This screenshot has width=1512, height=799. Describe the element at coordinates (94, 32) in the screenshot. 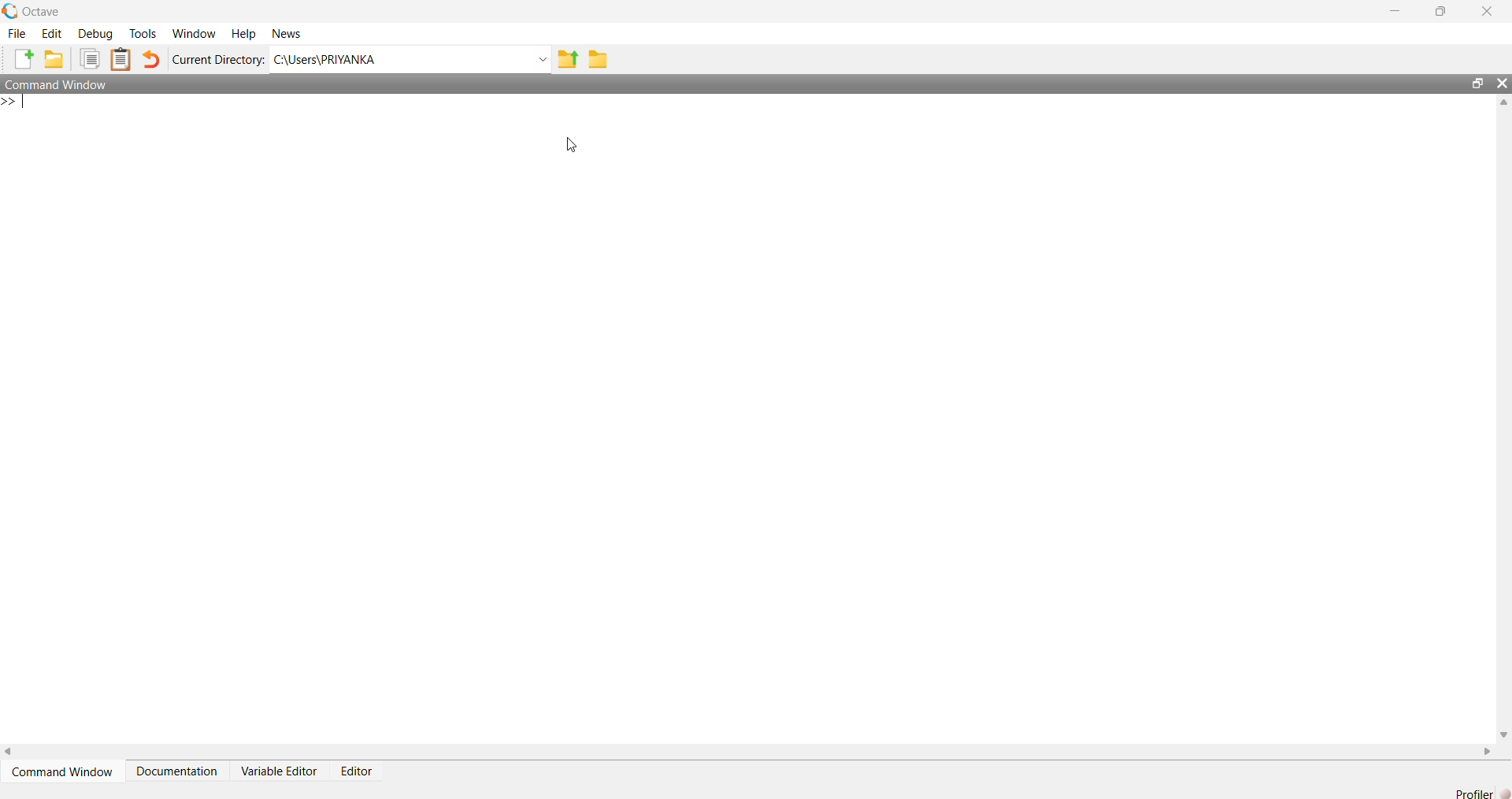

I see `Debug` at that location.